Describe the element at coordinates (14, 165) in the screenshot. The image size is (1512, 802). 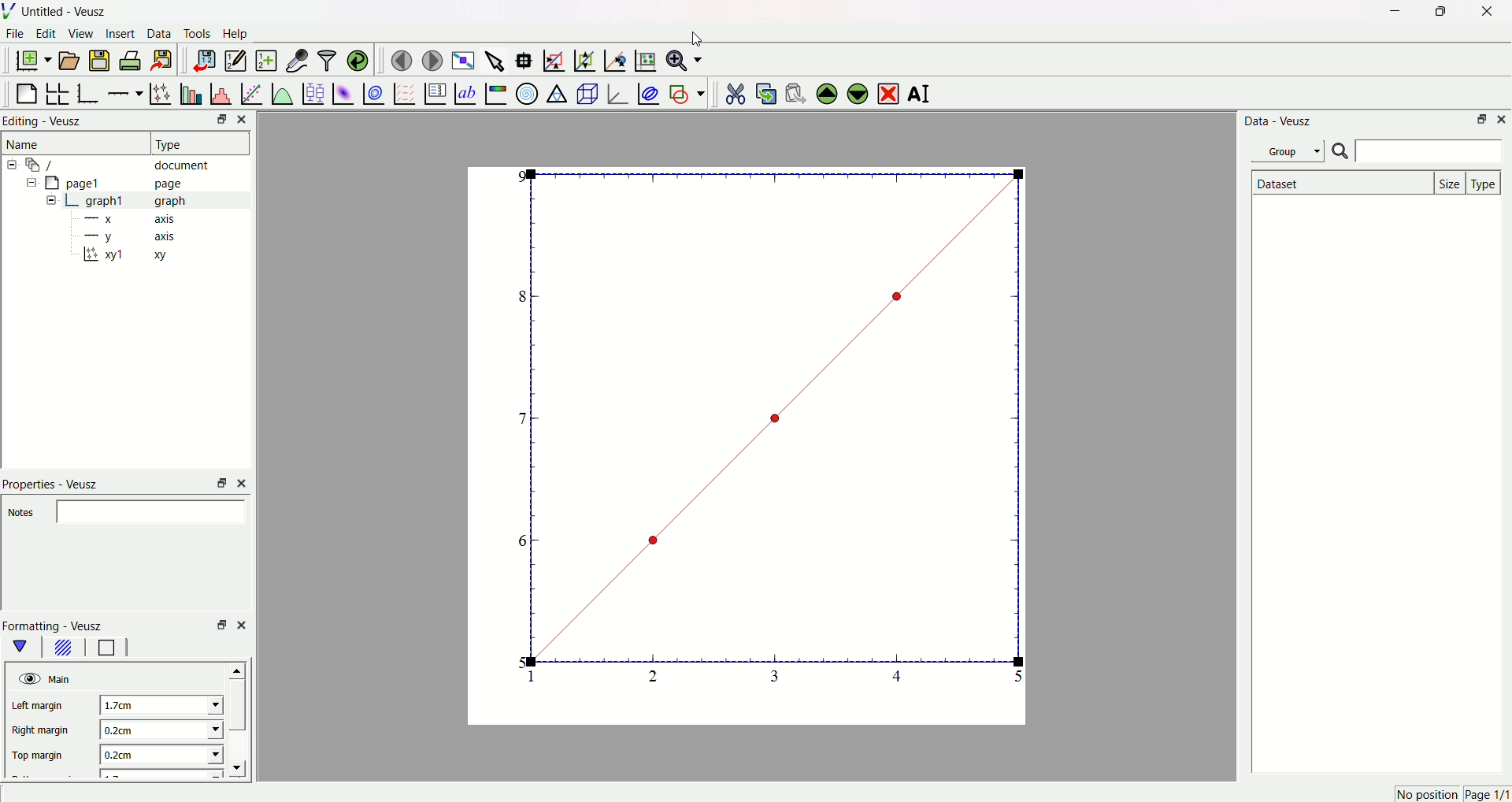
I see `collapse` at that location.